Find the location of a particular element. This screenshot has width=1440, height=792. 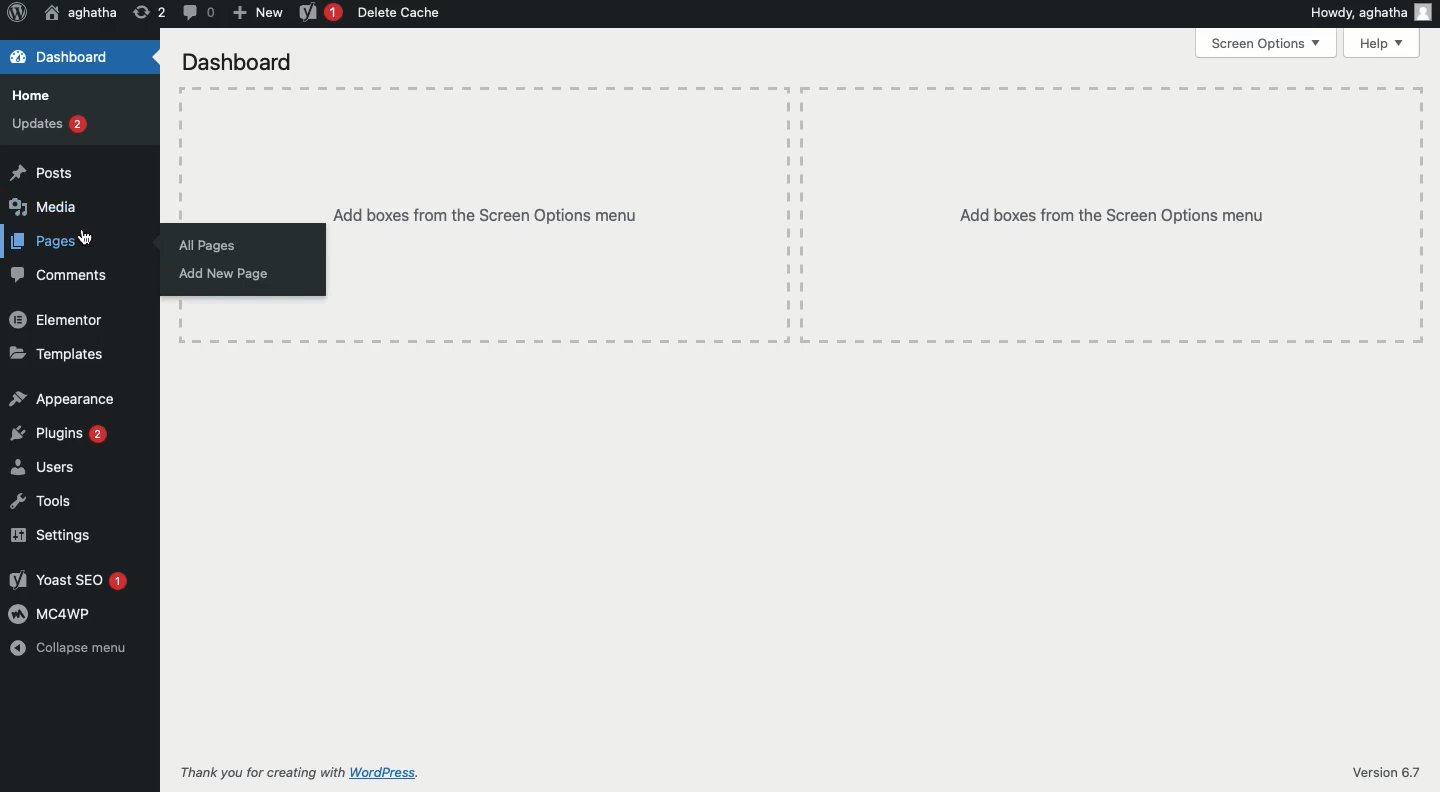

Comment is located at coordinates (197, 12).